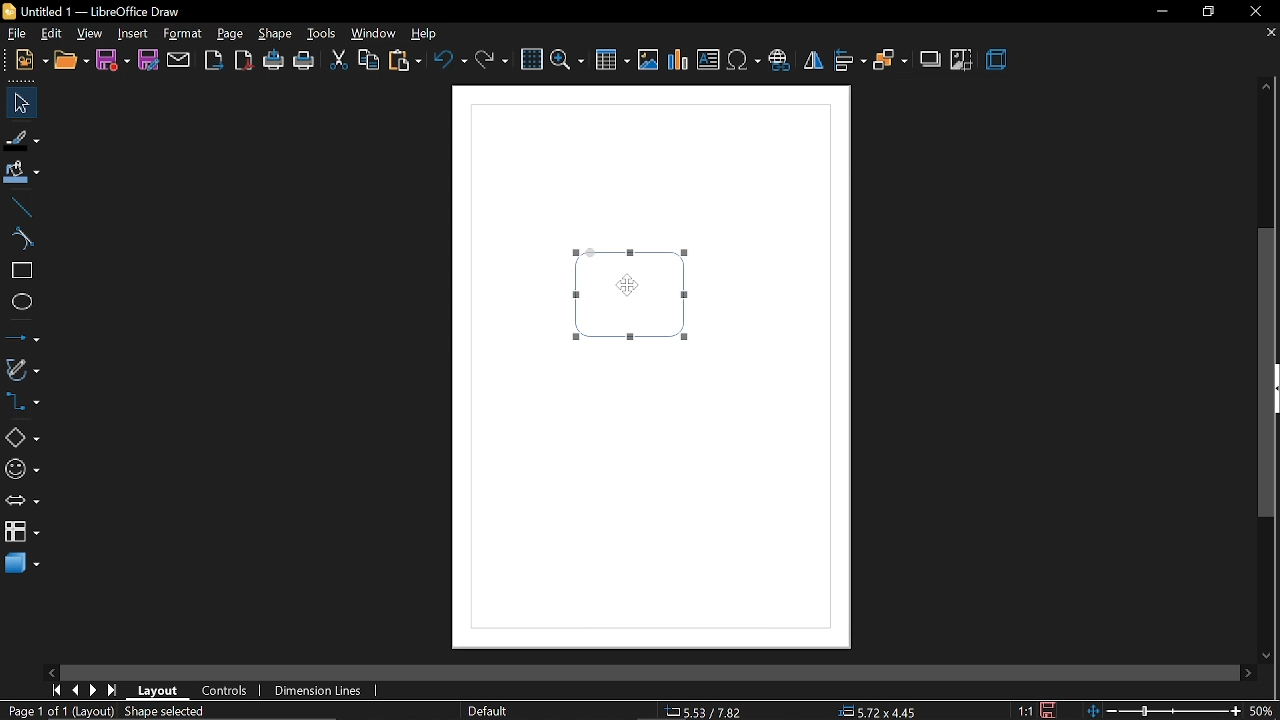  What do you see at coordinates (22, 208) in the screenshot?
I see `line` at bounding box center [22, 208].